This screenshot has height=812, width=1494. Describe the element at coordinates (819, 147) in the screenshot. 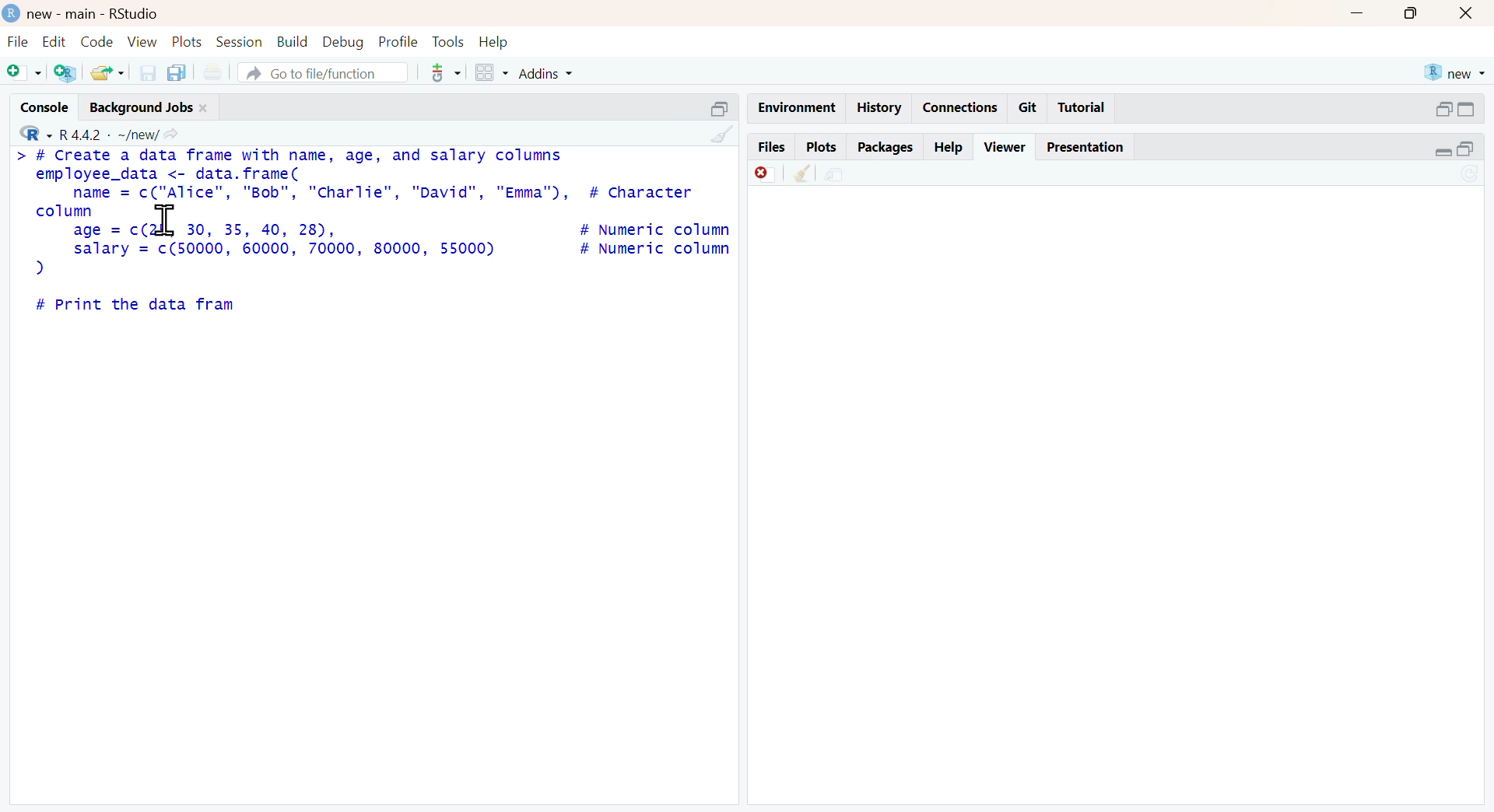

I see `Plots` at that location.